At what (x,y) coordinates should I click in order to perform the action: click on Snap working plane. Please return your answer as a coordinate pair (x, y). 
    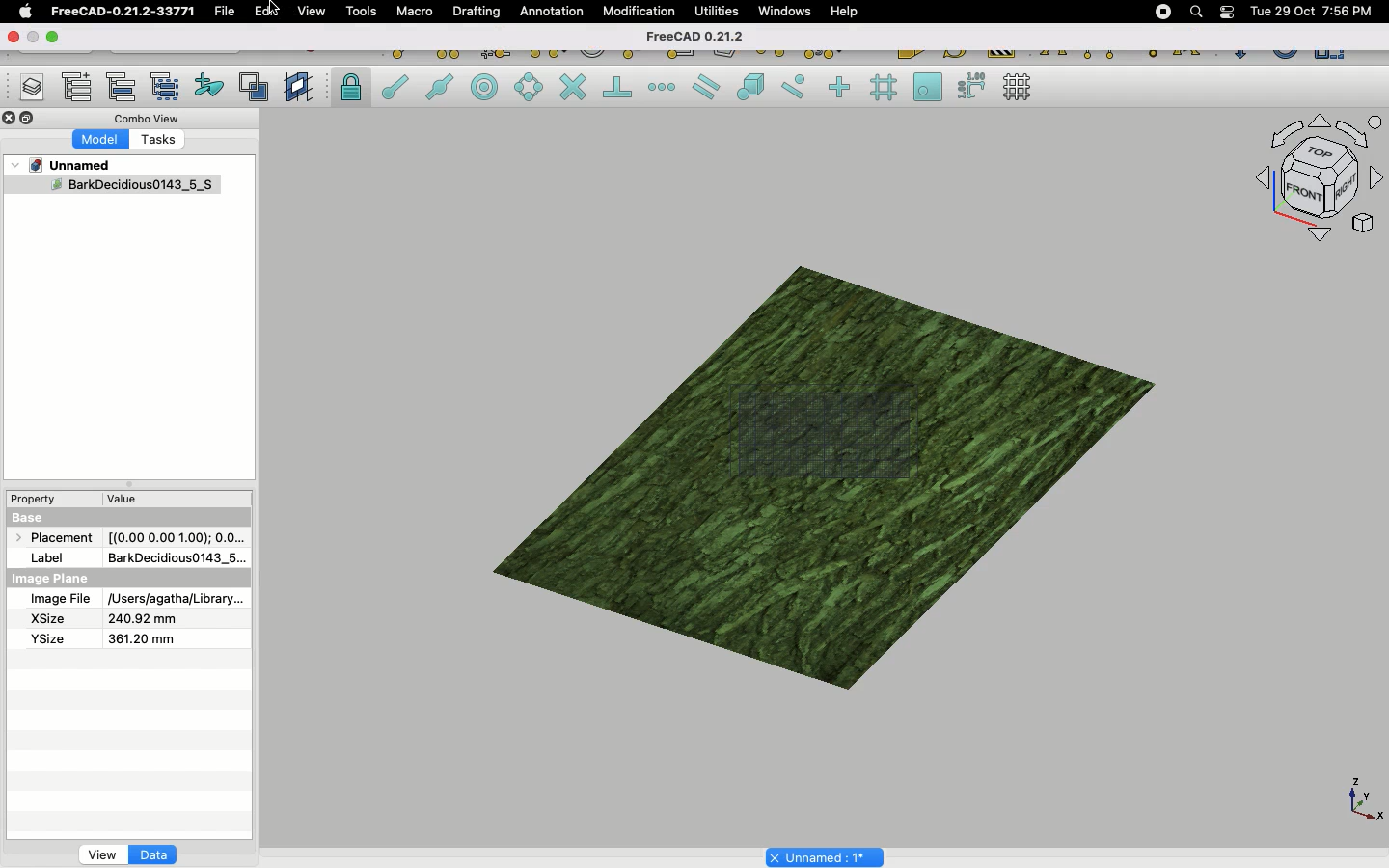
    Looking at the image, I should click on (928, 89).